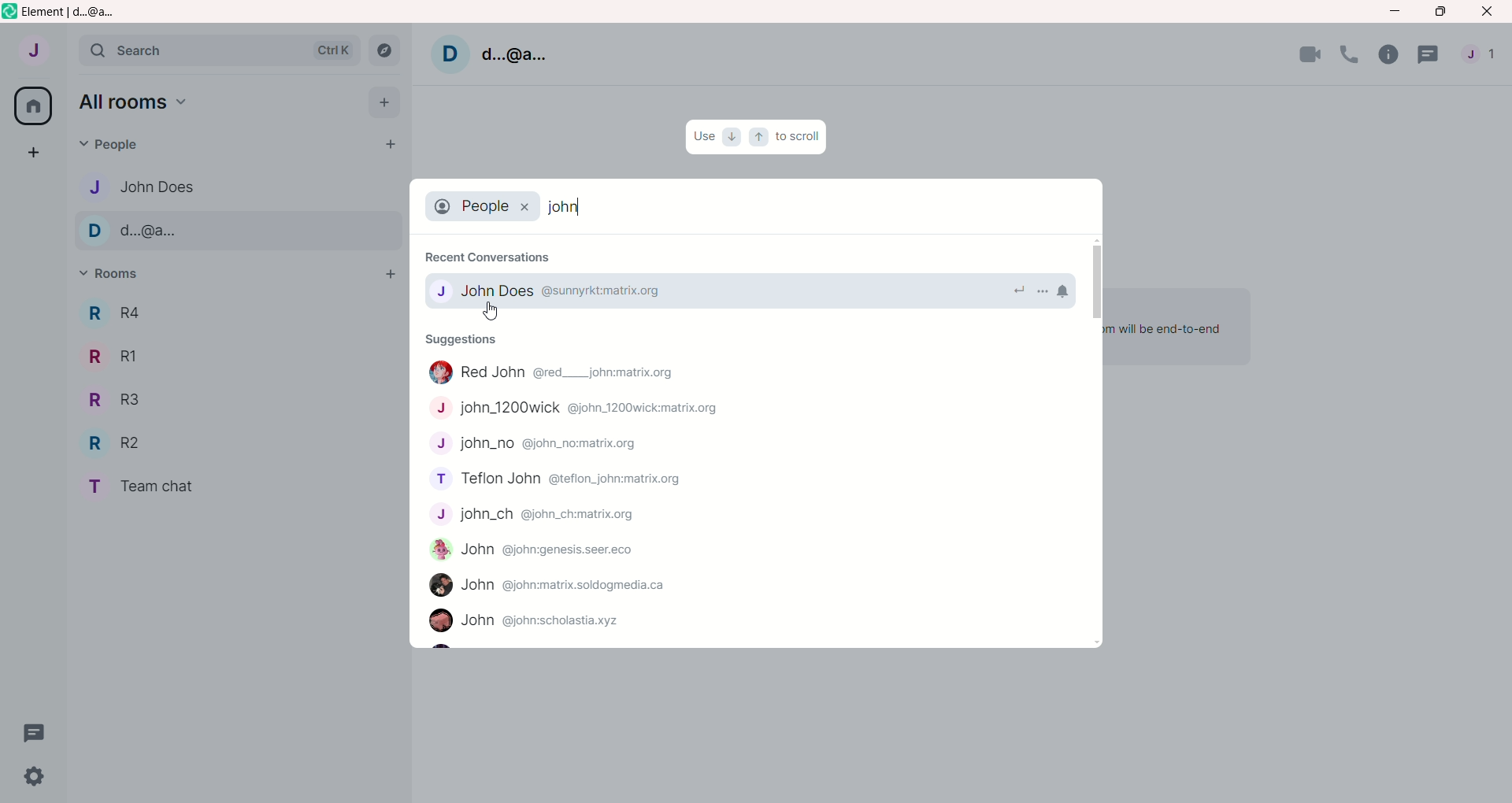 The height and width of the screenshot is (803, 1512). I want to click on search bar, so click(219, 53).